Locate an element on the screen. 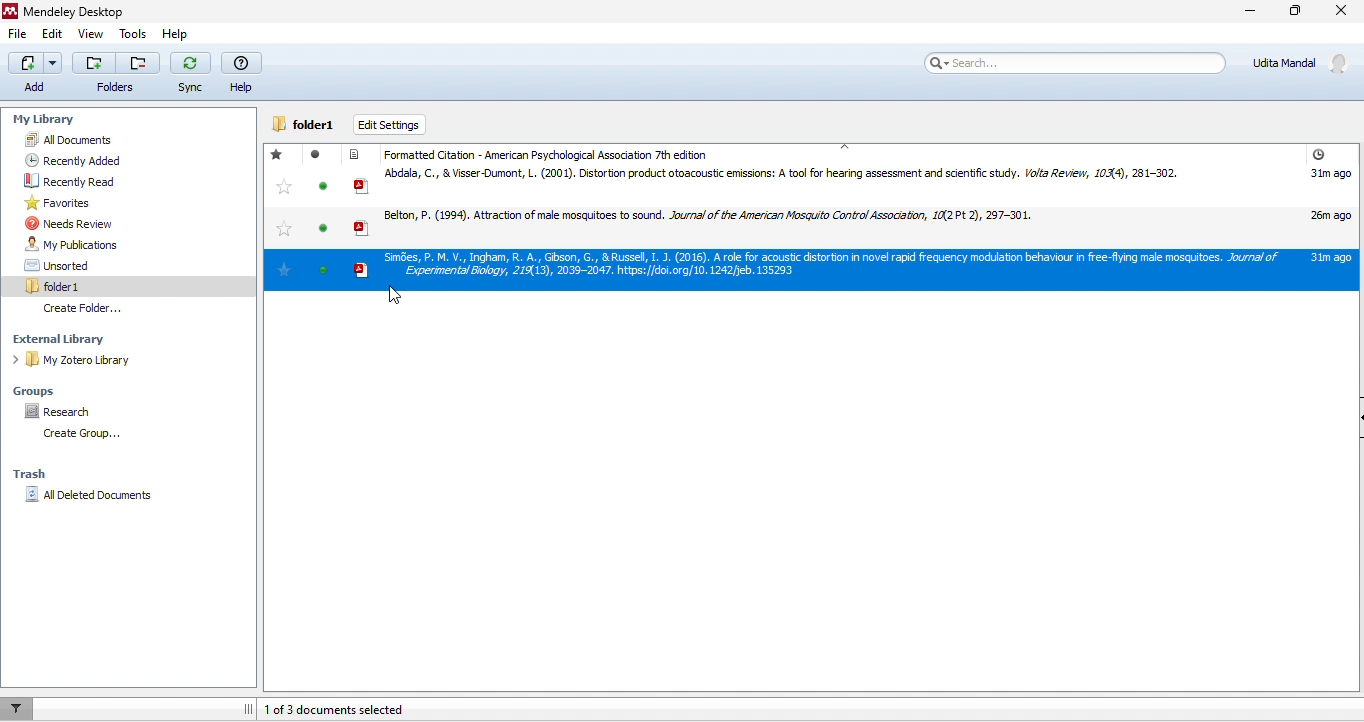 The width and height of the screenshot is (1364, 722). research is located at coordinates (83, 414).